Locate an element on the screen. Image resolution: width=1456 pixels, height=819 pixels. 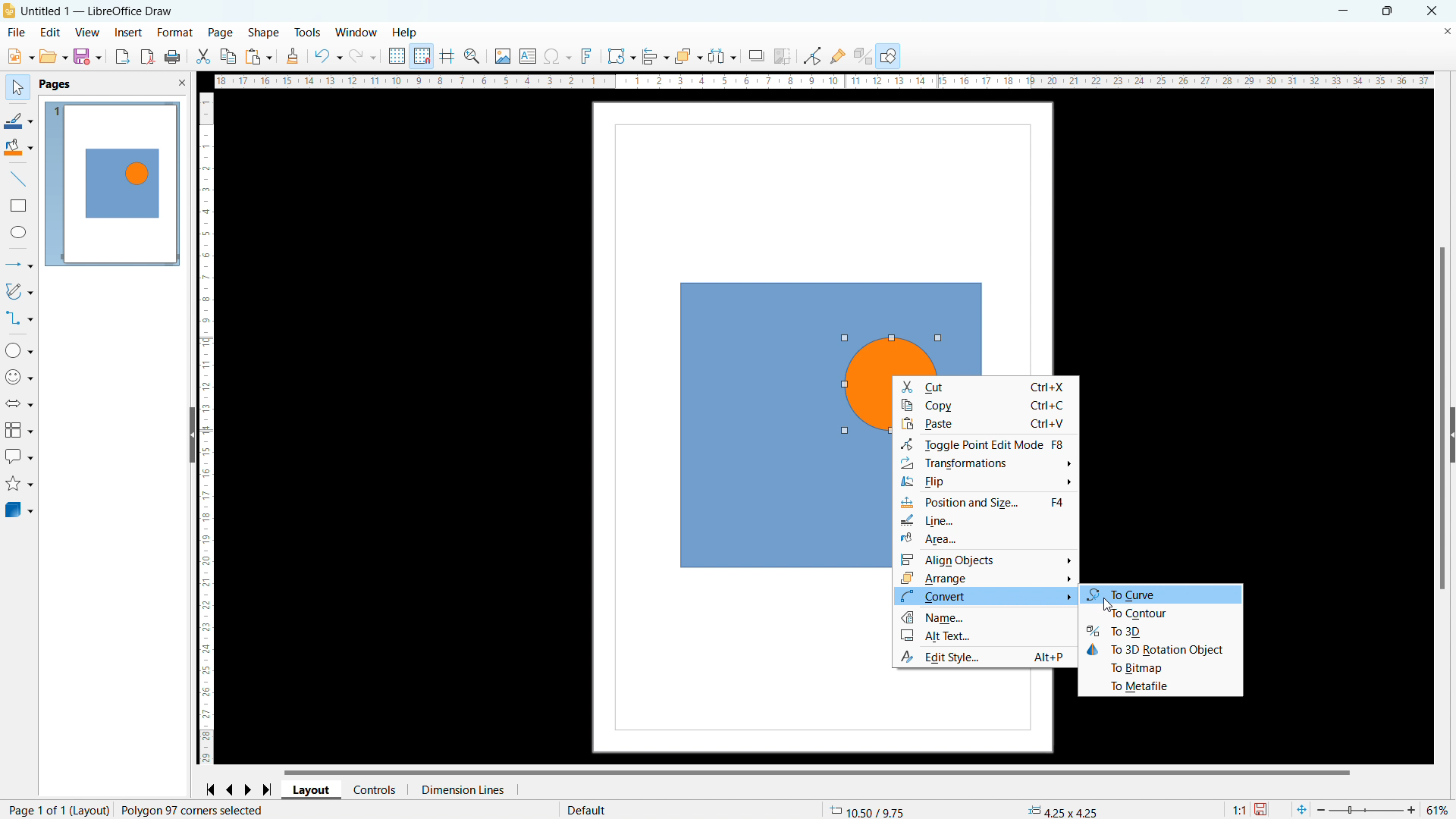
ellipse tool is located at coordinates (20, 233).